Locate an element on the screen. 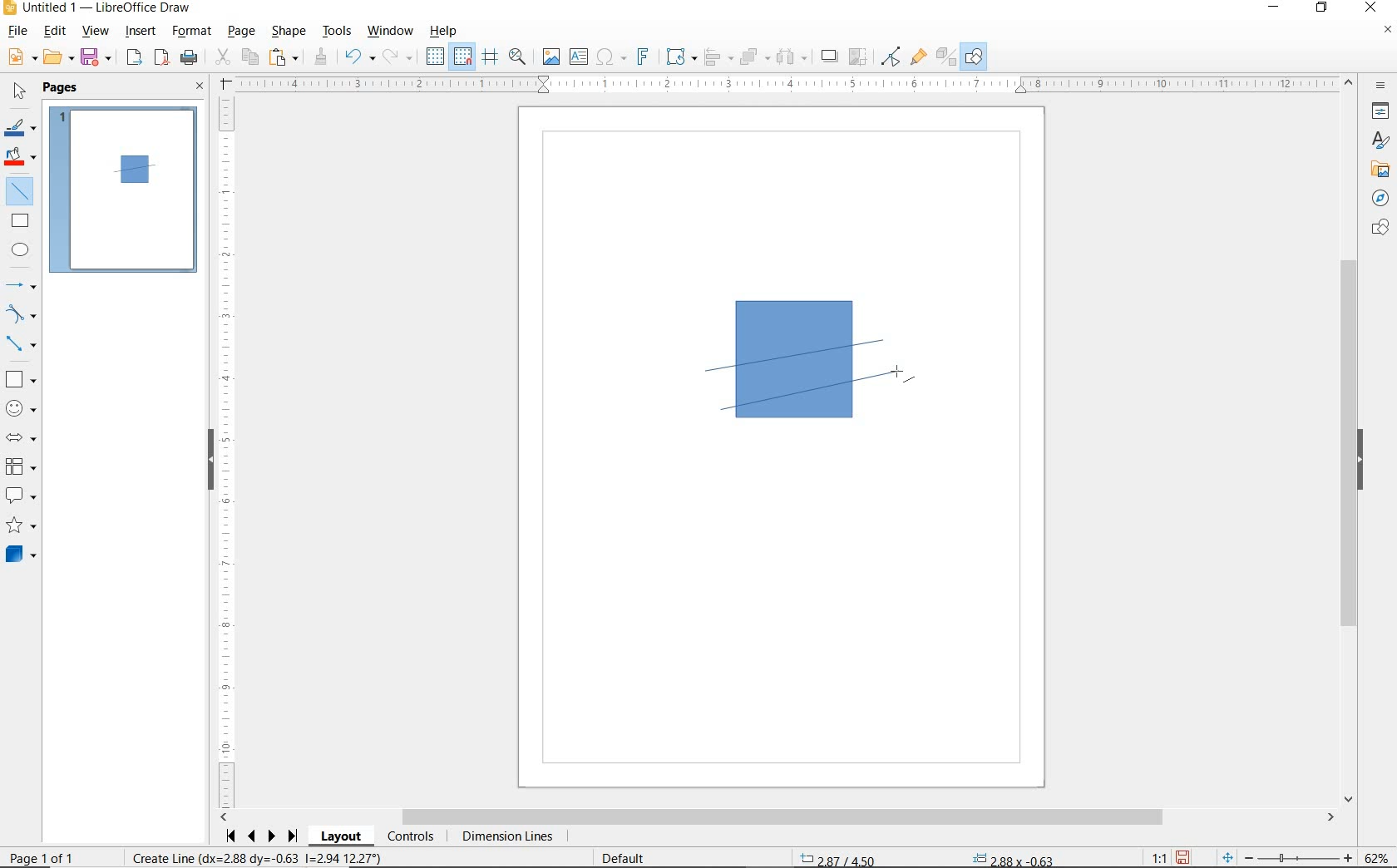 The image size is (1397, 868). TOGGLE POINT EDIT MODE is located at coordinates (892, 58).